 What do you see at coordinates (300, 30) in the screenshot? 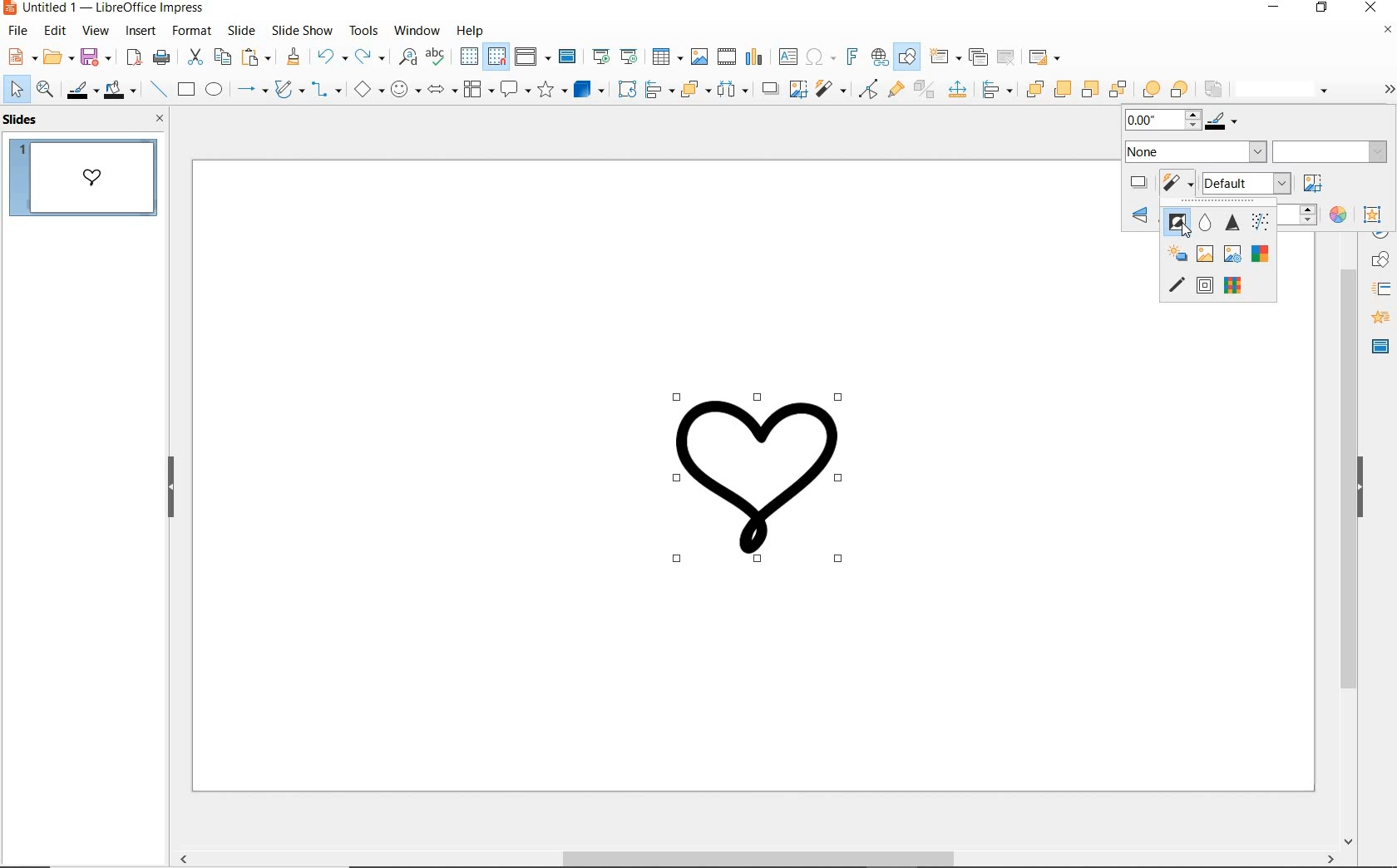
I see `slide show` at bounding box center [300, 30].